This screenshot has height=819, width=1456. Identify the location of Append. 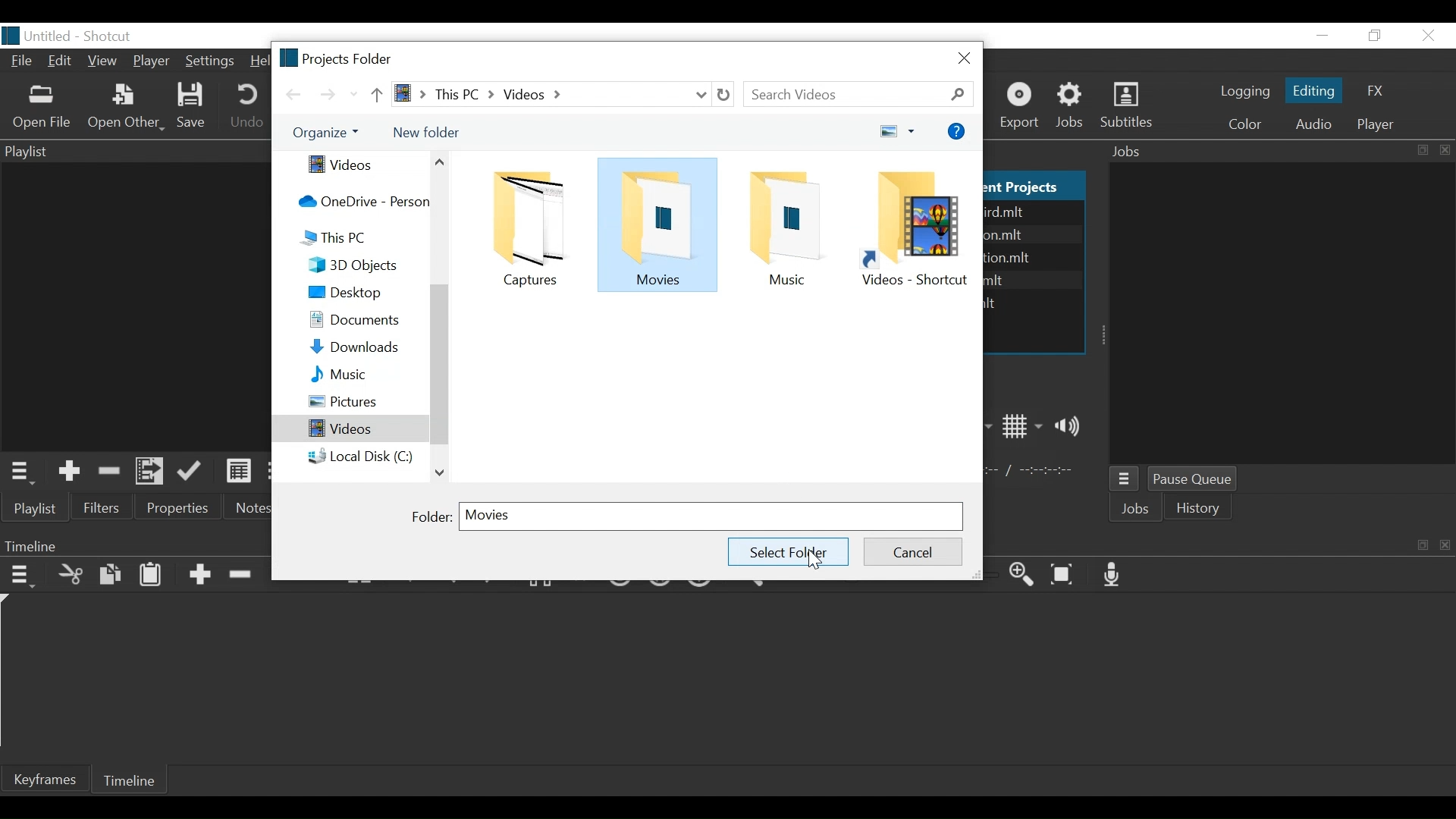
(199, 576).